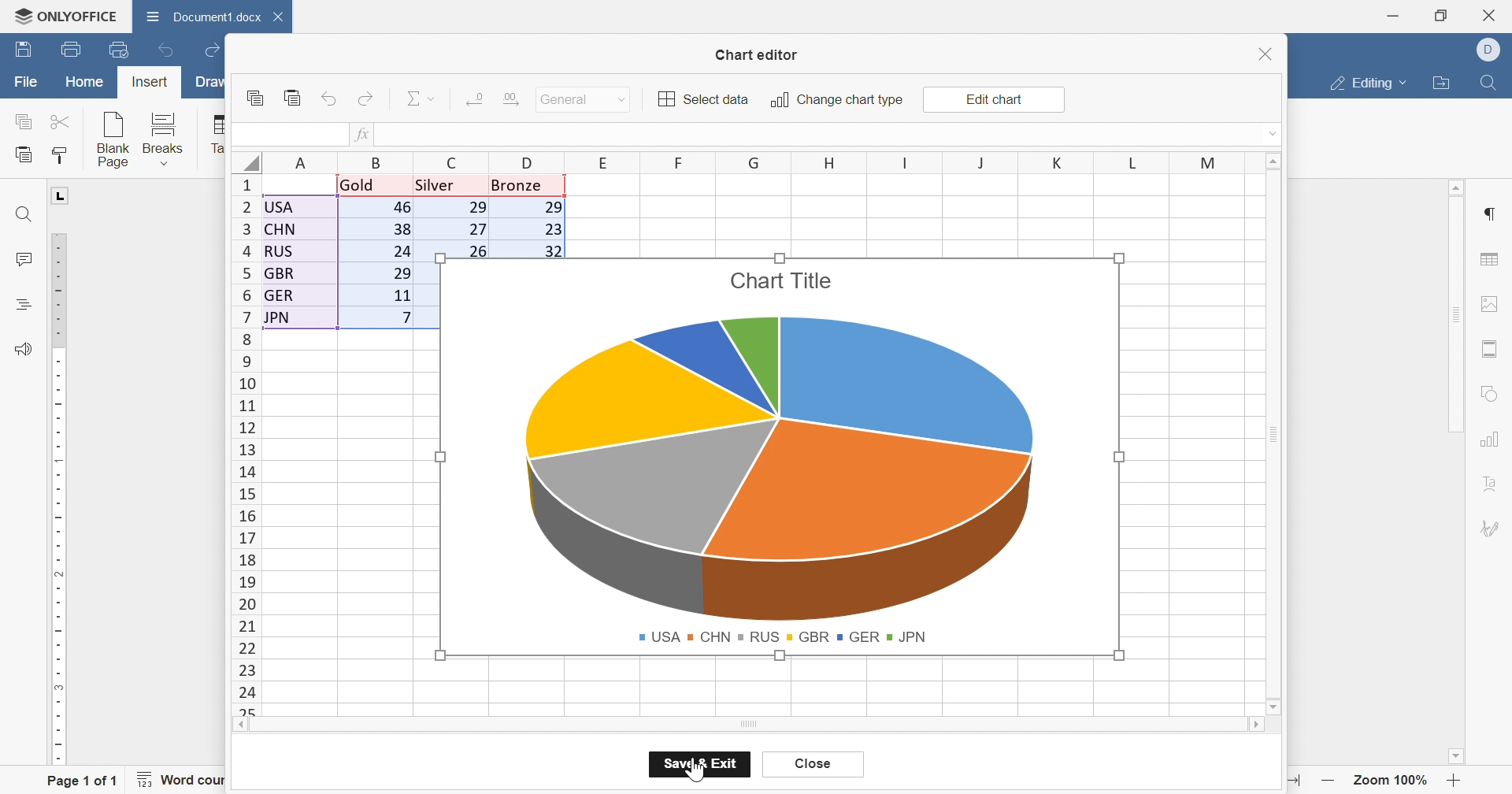  I want to click on General, so click(562, 99).